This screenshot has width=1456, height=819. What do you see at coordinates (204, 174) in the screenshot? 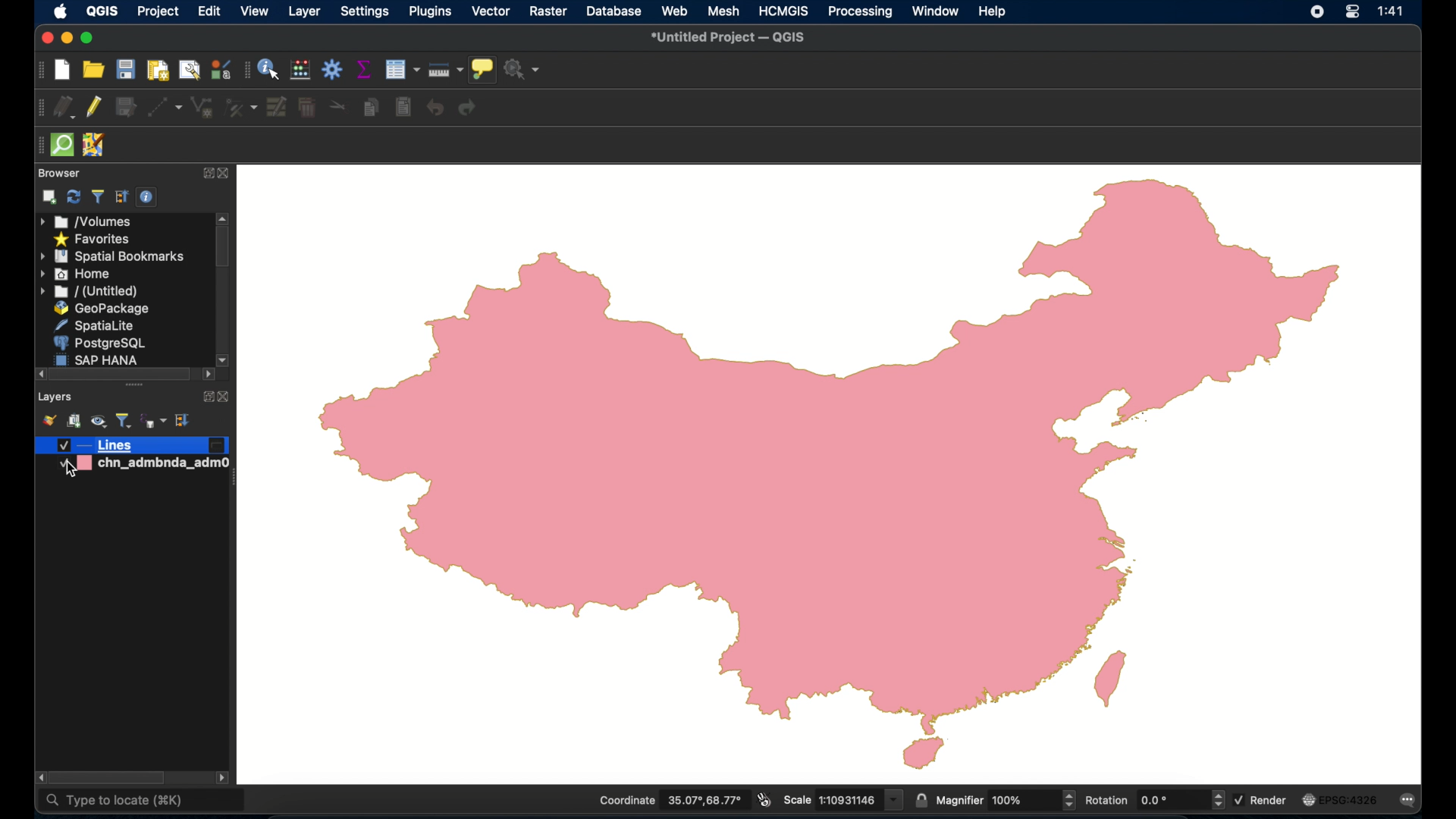
I see `expand` at bounding box center [204, 174].